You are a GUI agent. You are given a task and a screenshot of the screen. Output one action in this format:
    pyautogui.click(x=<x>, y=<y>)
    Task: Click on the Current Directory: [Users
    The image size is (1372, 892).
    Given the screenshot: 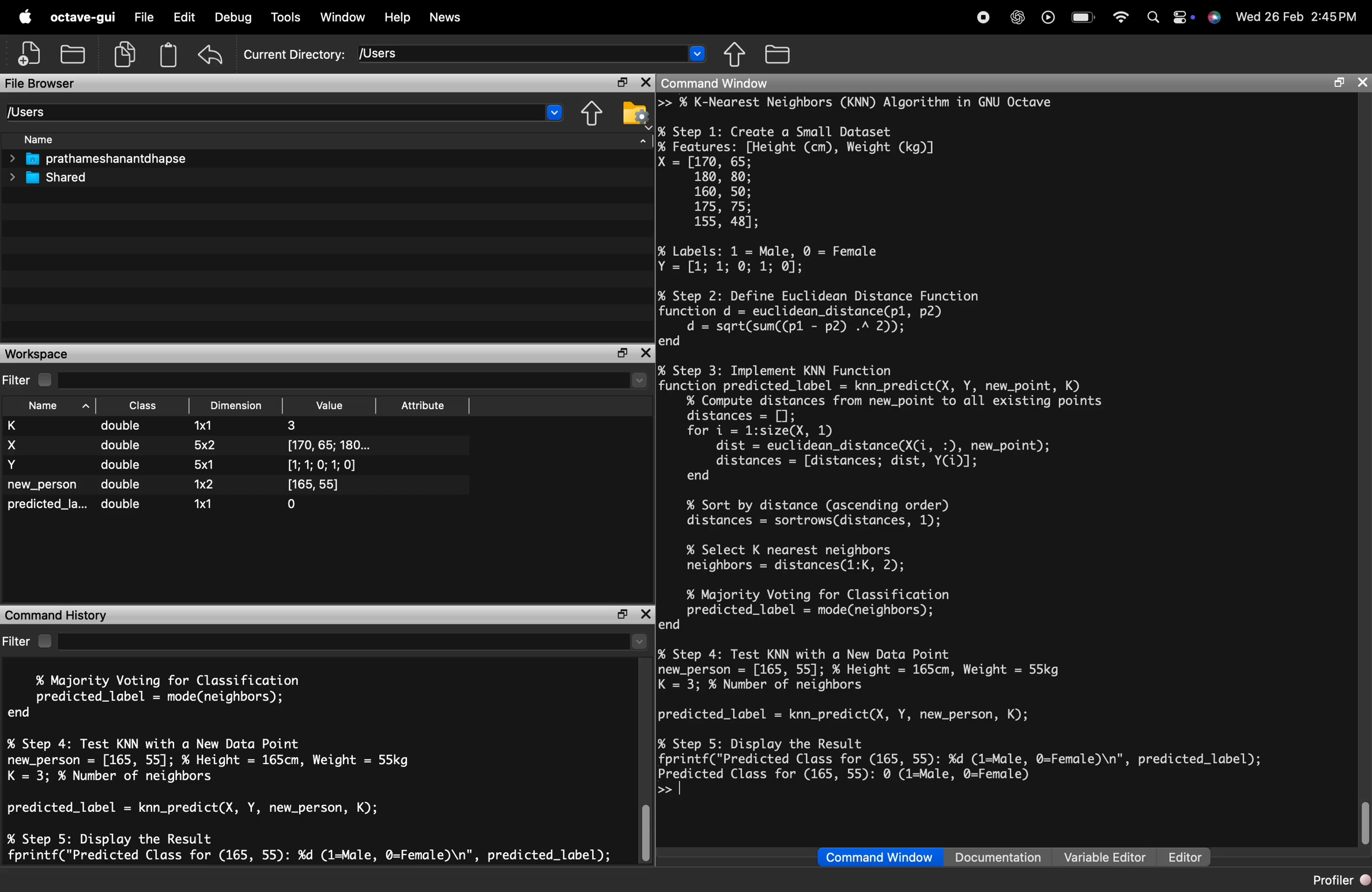 What is the action you would take?
    pyautogui.click(x=327, y=54)
    